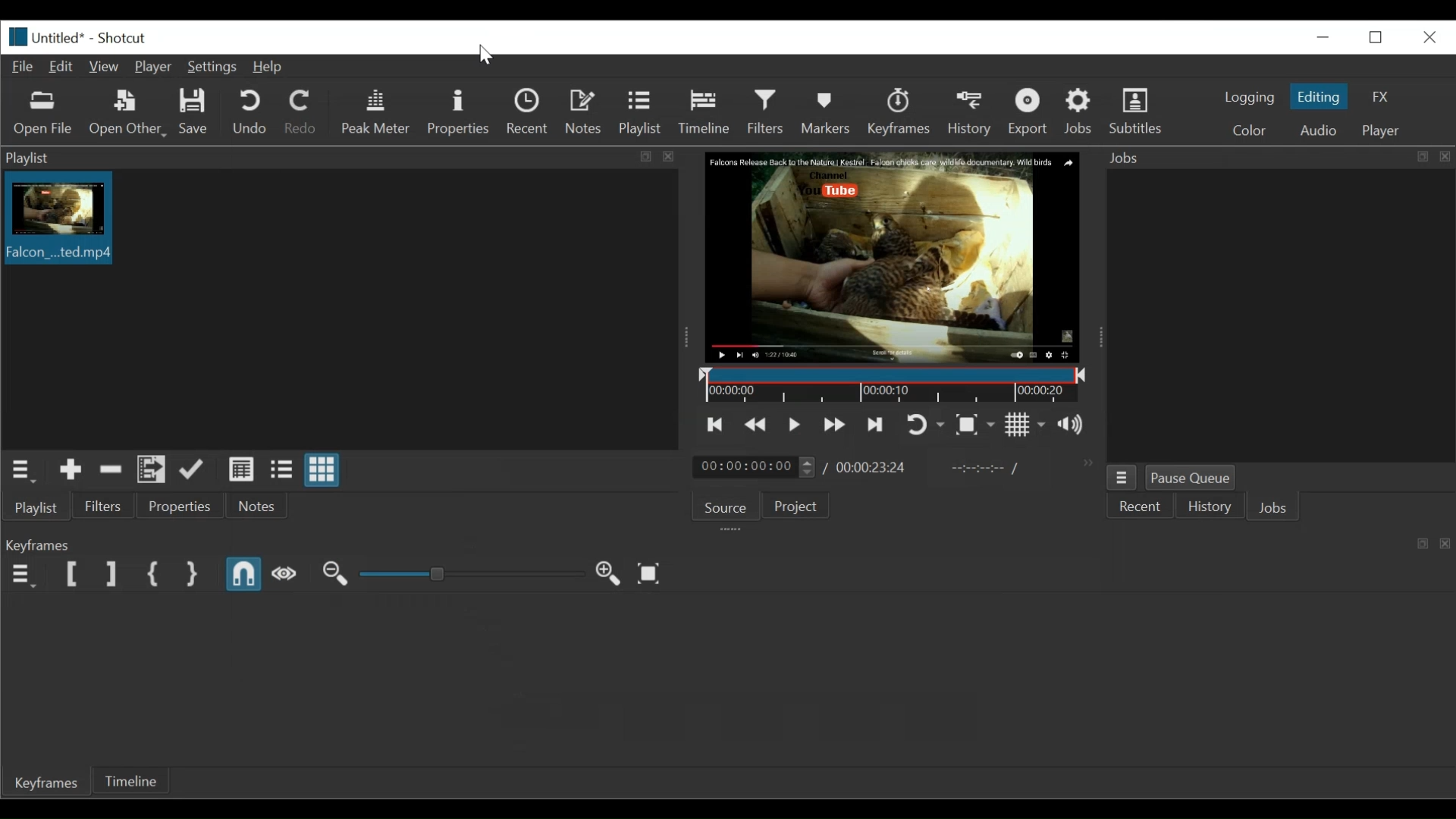 The width and height of the screenshot is (1456, 819). What do you see at coordinates (642, 114) in the screenshot?
I see `Playlist` at bounding box center [642, 114].